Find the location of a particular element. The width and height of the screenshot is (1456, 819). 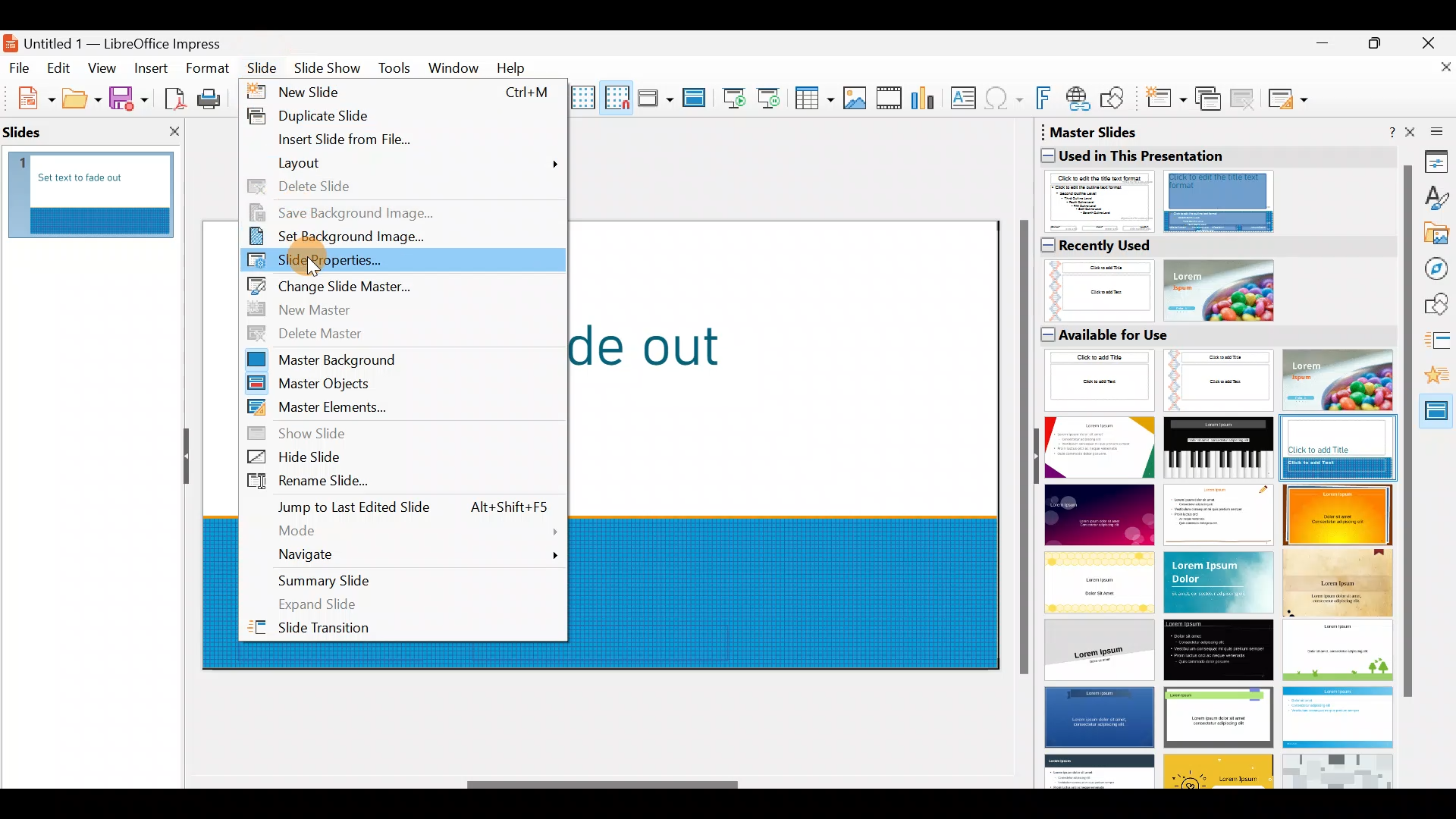

Display grid is located at coordinates (583, 95).